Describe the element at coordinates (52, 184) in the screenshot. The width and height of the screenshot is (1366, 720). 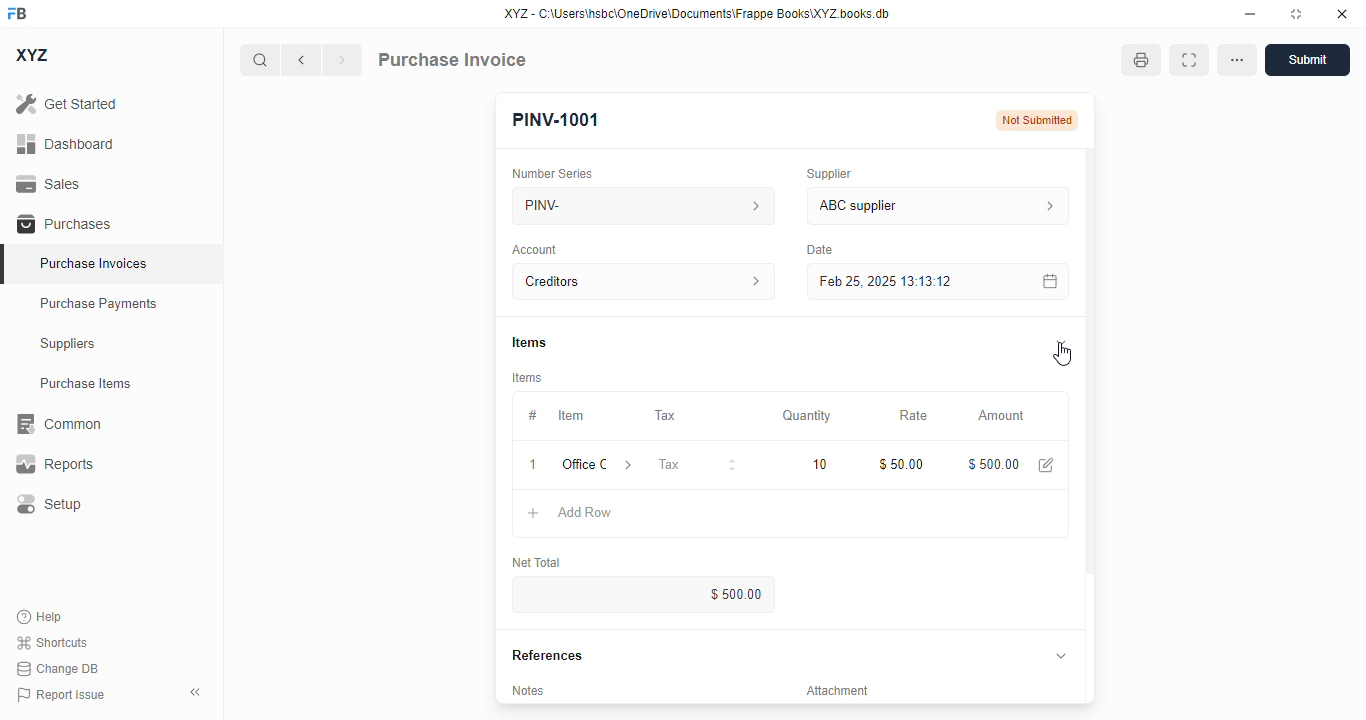
I see `sales` at that location.